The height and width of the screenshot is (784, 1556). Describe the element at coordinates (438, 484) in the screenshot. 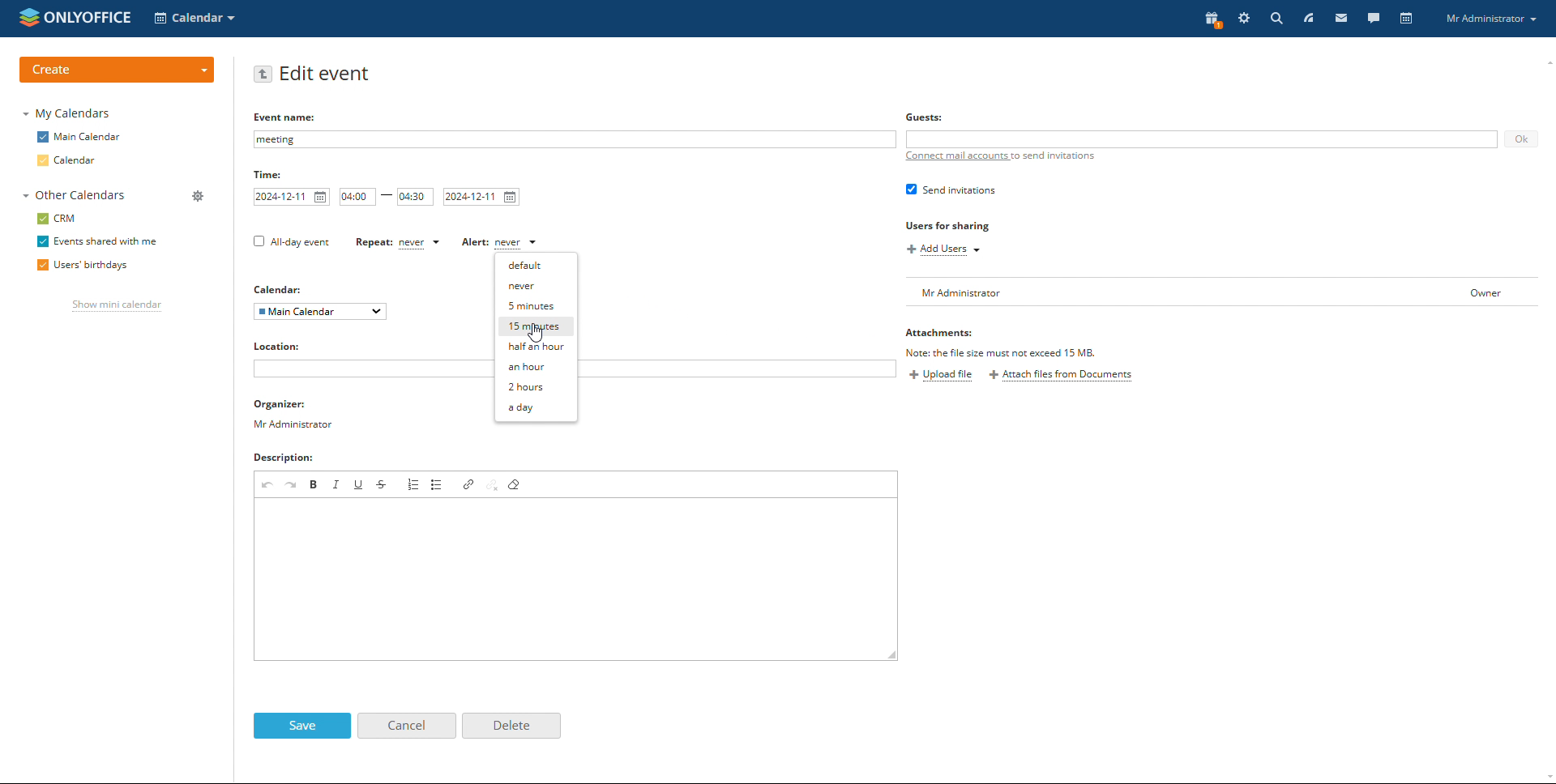

I see `insert/remove bulleted list` at that location.